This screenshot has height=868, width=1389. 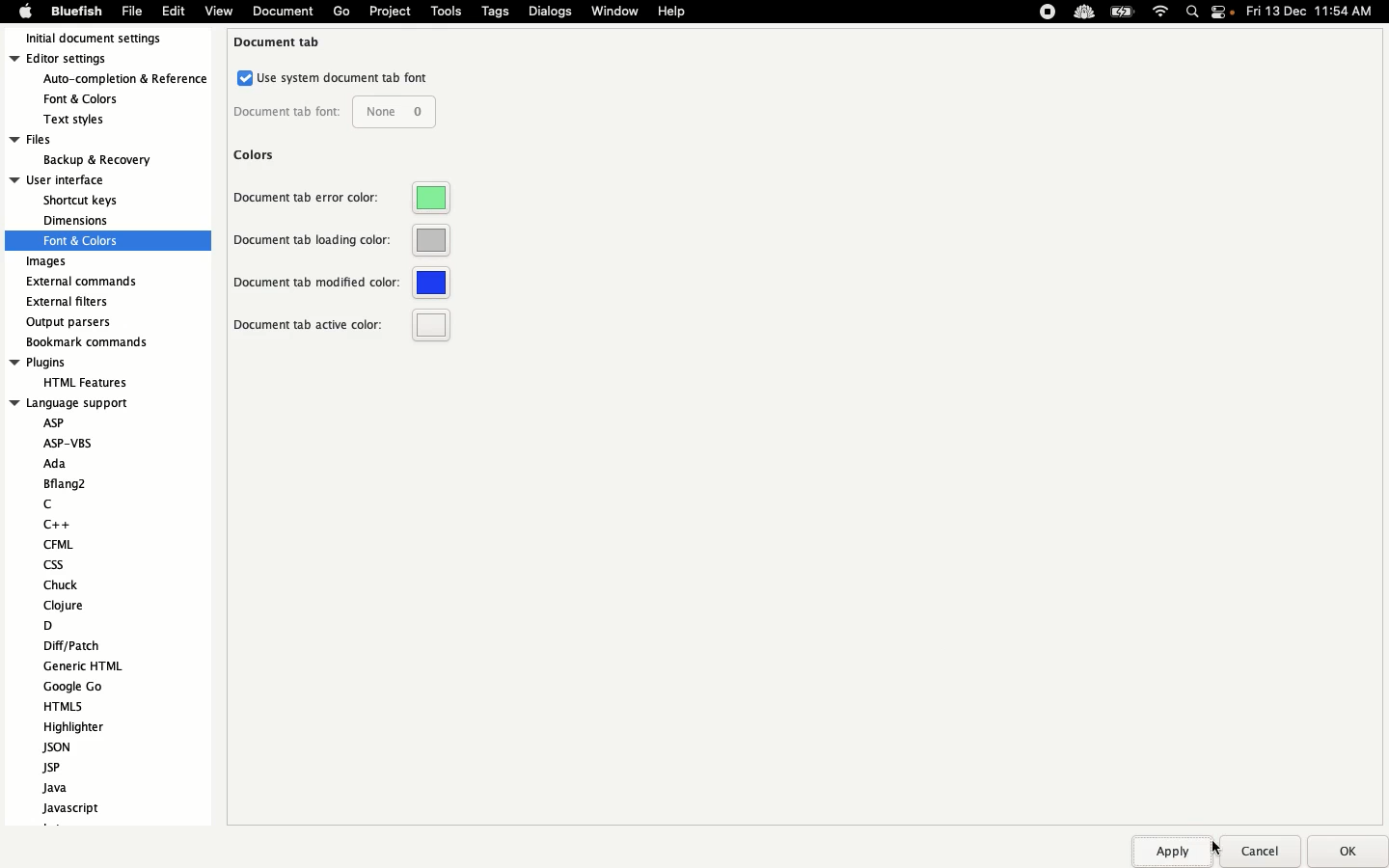 What do you see at coordinates (174, 11) in the screenshot?
I see `Edit` at bounding box center [174, 11].